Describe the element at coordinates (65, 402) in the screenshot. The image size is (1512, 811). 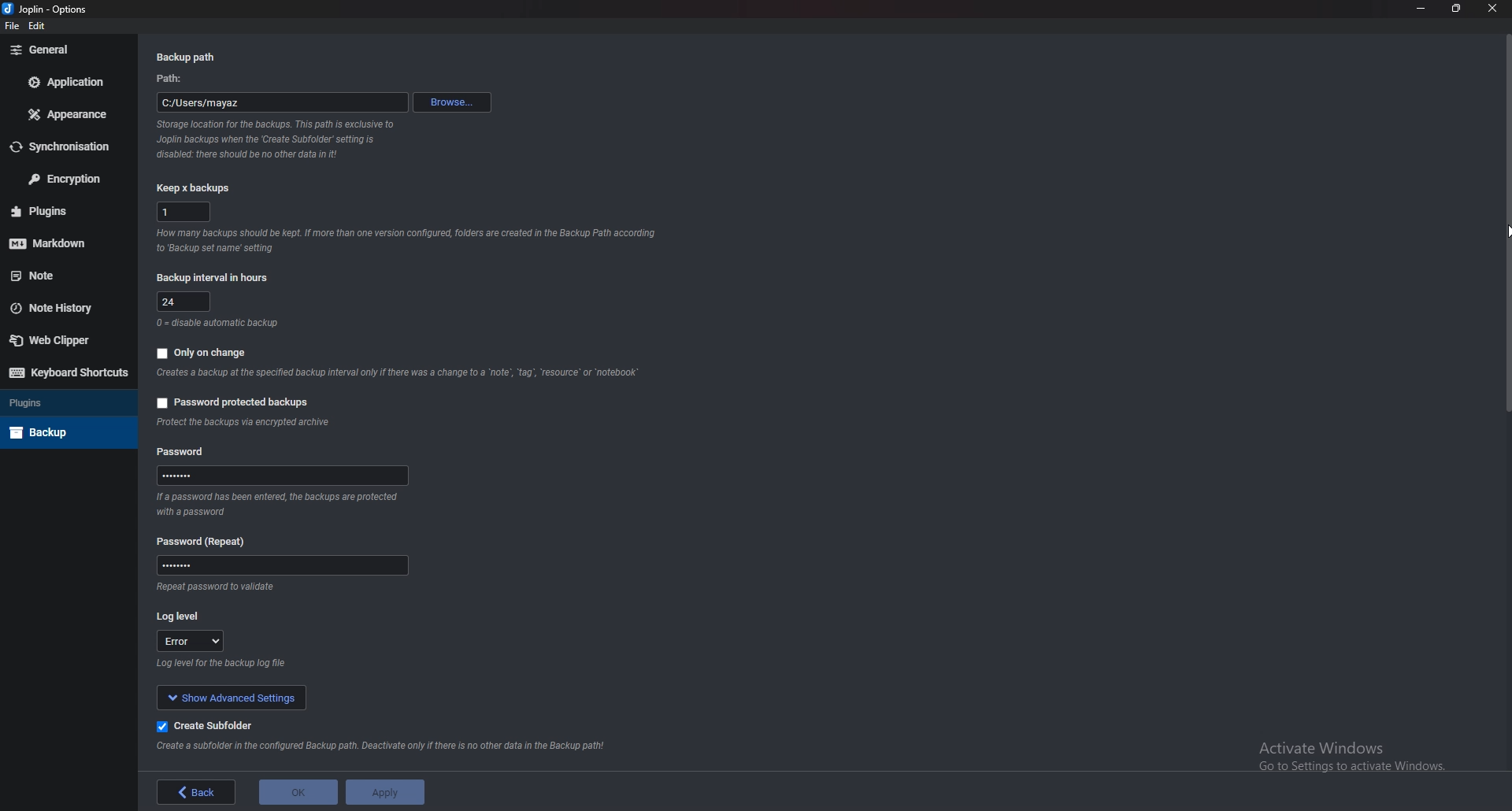
I see `Plugins` at that location.